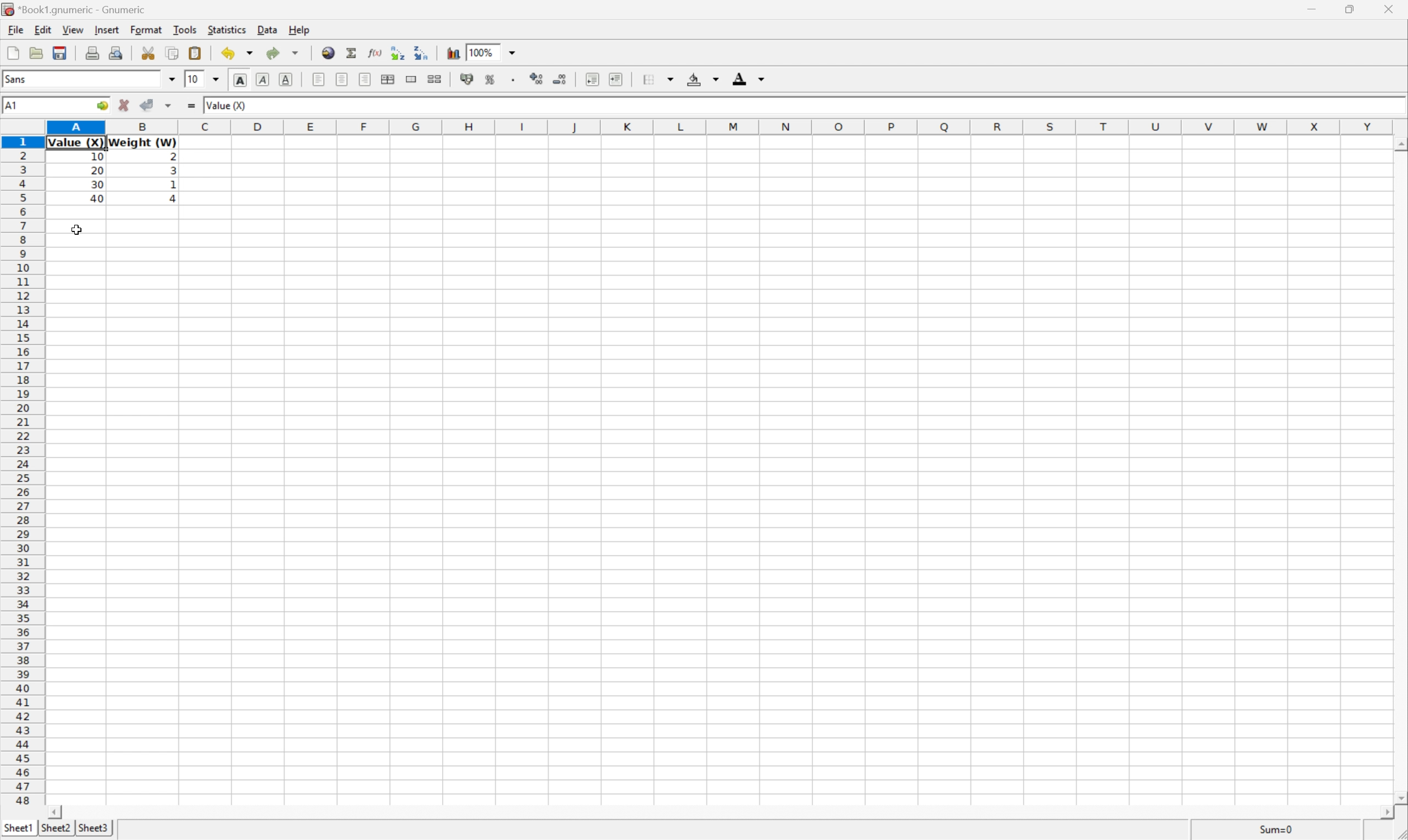 The image size is (1408, 840). I want to click on Save current workbook, so click(61, 54).